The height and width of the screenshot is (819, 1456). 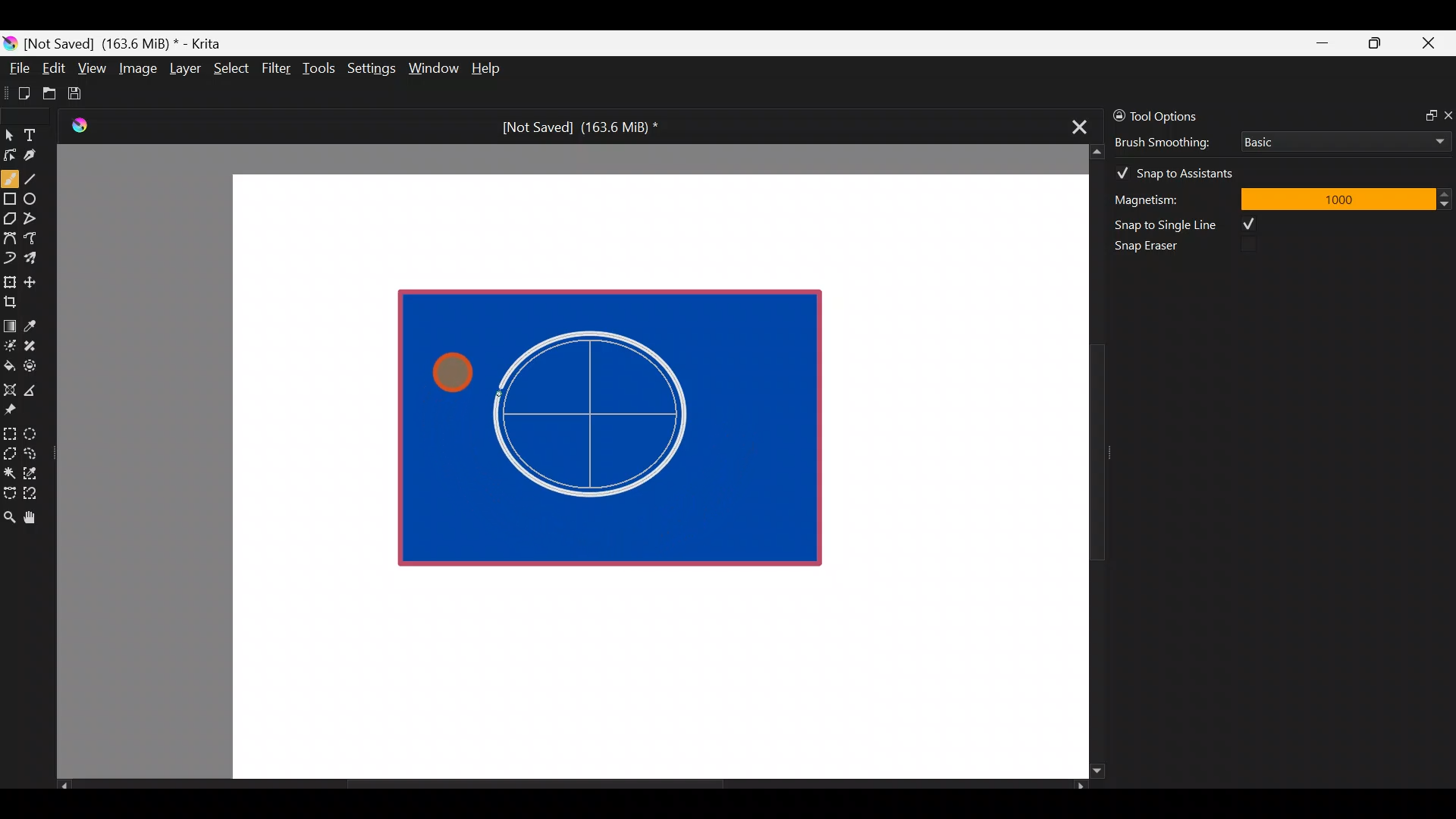 What do you see at coordinates (19, 93) in the screenshot?
I see `Create new document` at bounding box center [19, 93].